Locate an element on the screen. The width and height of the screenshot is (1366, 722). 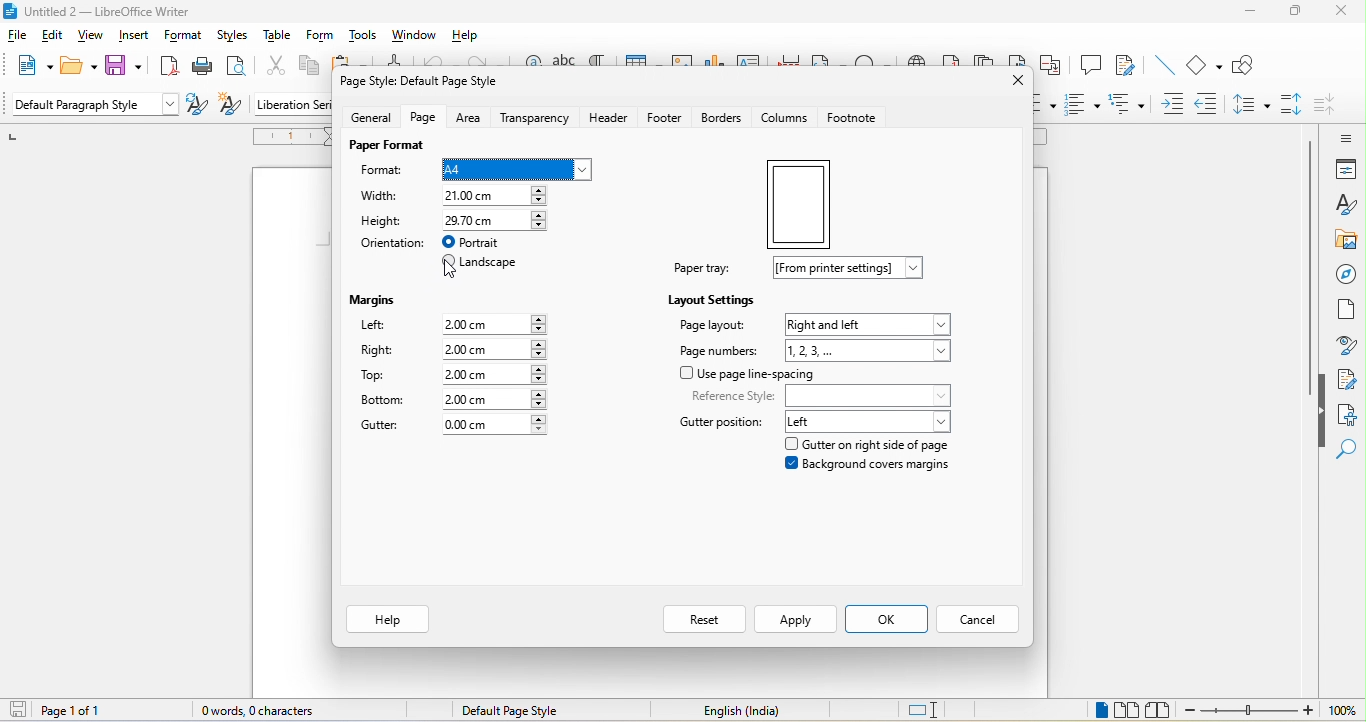
find is located at coordinates (1350, 452).